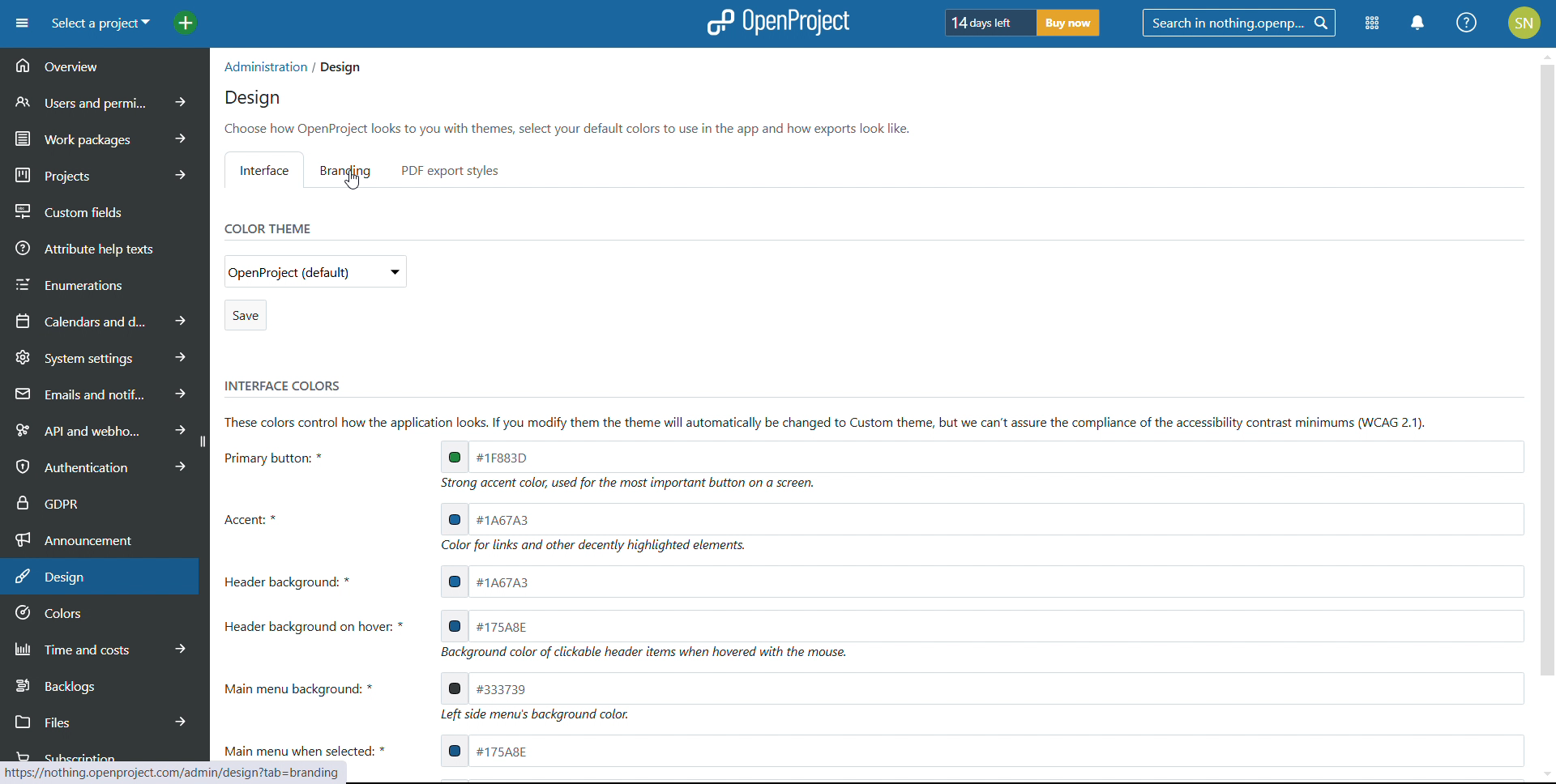 The width and height of the screenshot is (1556, 784). What do you see at coordinates (981, 455) in the screenshot?
I see `primary button` at bounding box center [981, 455].